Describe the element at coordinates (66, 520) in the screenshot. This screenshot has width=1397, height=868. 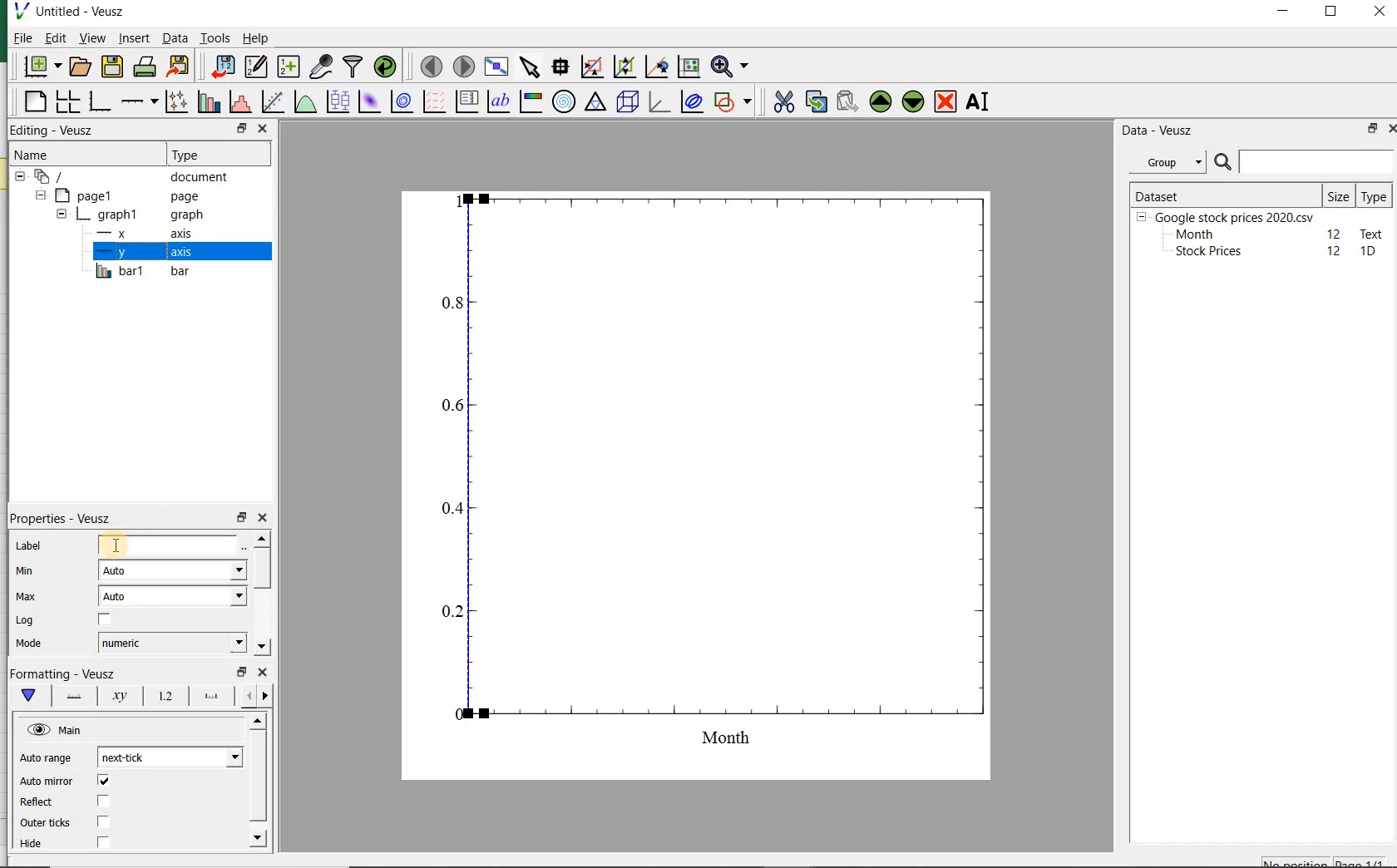
I see `Properties - Veusz` at that location.